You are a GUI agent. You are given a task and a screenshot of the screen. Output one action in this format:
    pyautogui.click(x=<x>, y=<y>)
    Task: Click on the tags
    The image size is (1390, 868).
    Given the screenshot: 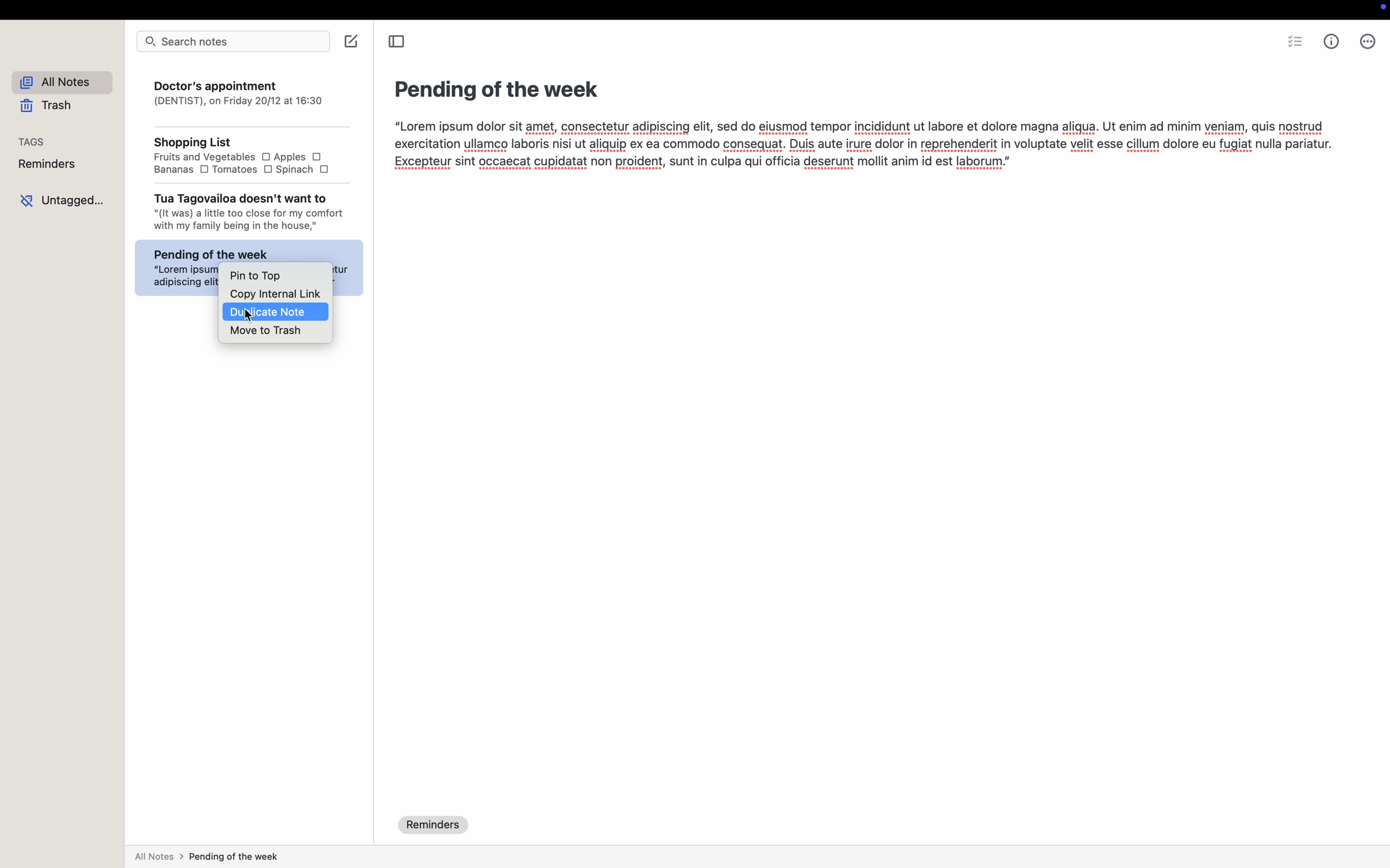 What is the action you would take?
    pyautogui.click(x=36, y=141)
    